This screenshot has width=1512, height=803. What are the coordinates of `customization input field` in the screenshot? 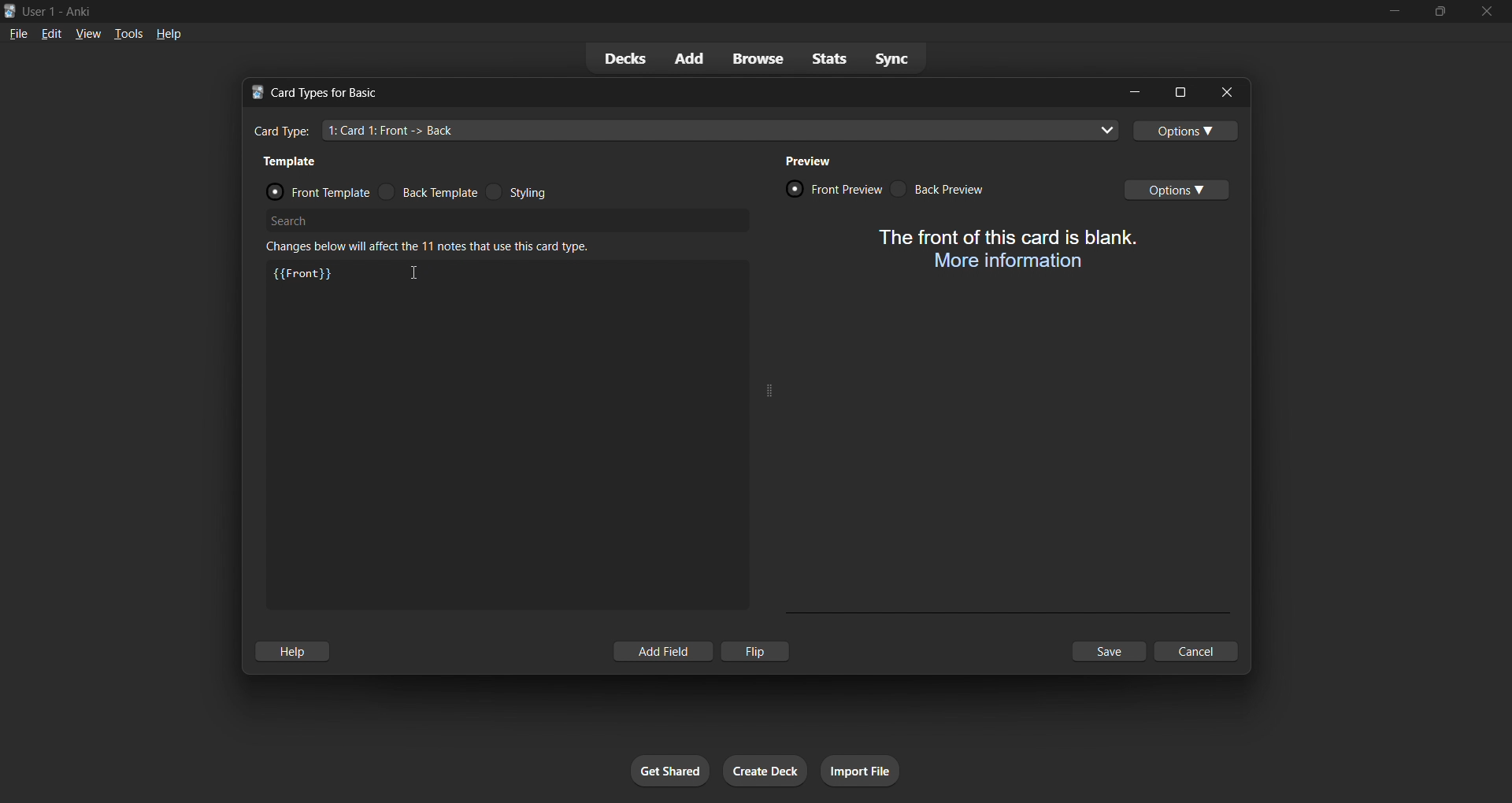 It's located at (502, 431).